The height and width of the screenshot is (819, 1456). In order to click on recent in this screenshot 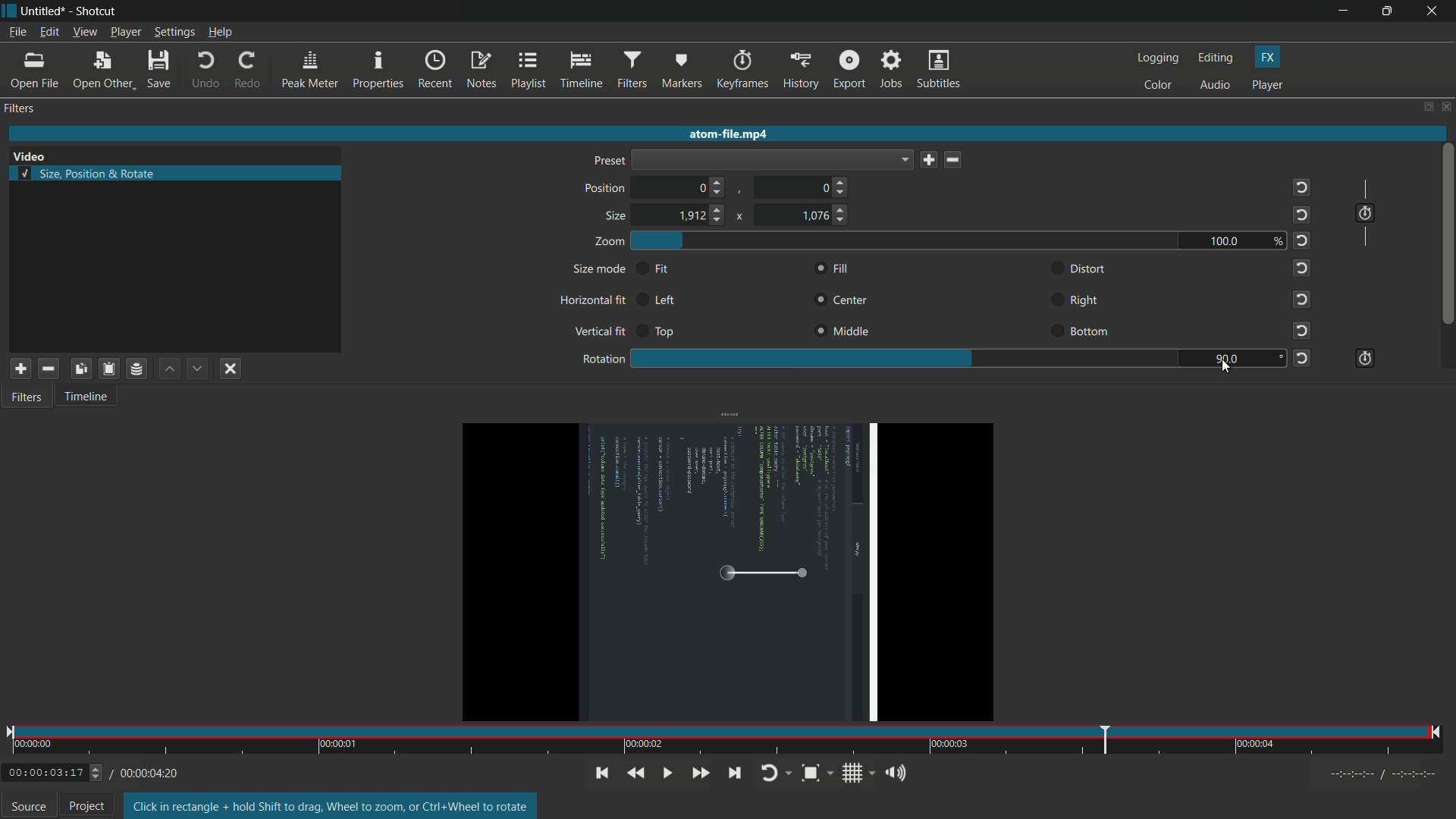, I will do `click(435, 70)`.